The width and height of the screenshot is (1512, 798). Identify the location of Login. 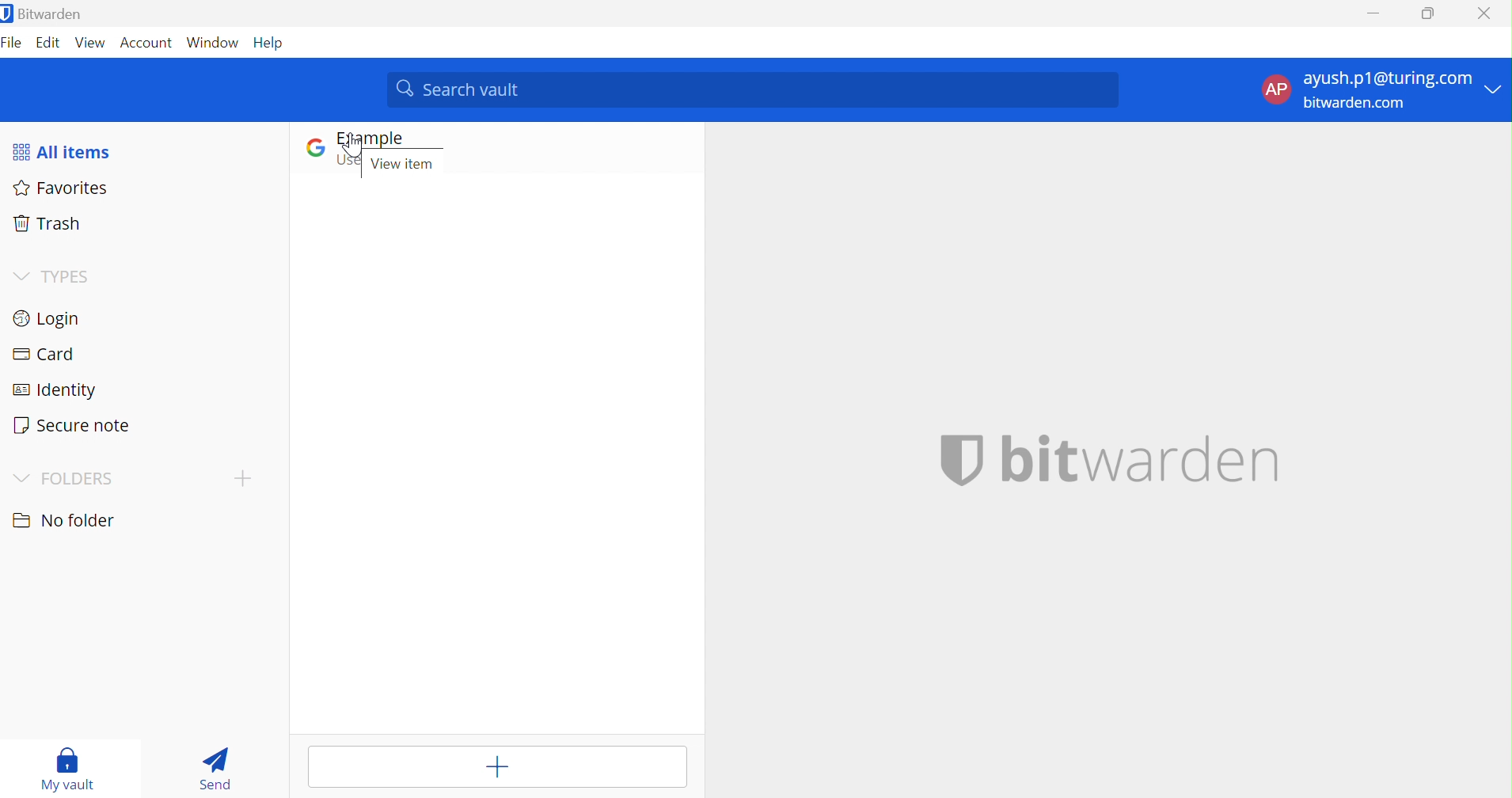
(47, 317).